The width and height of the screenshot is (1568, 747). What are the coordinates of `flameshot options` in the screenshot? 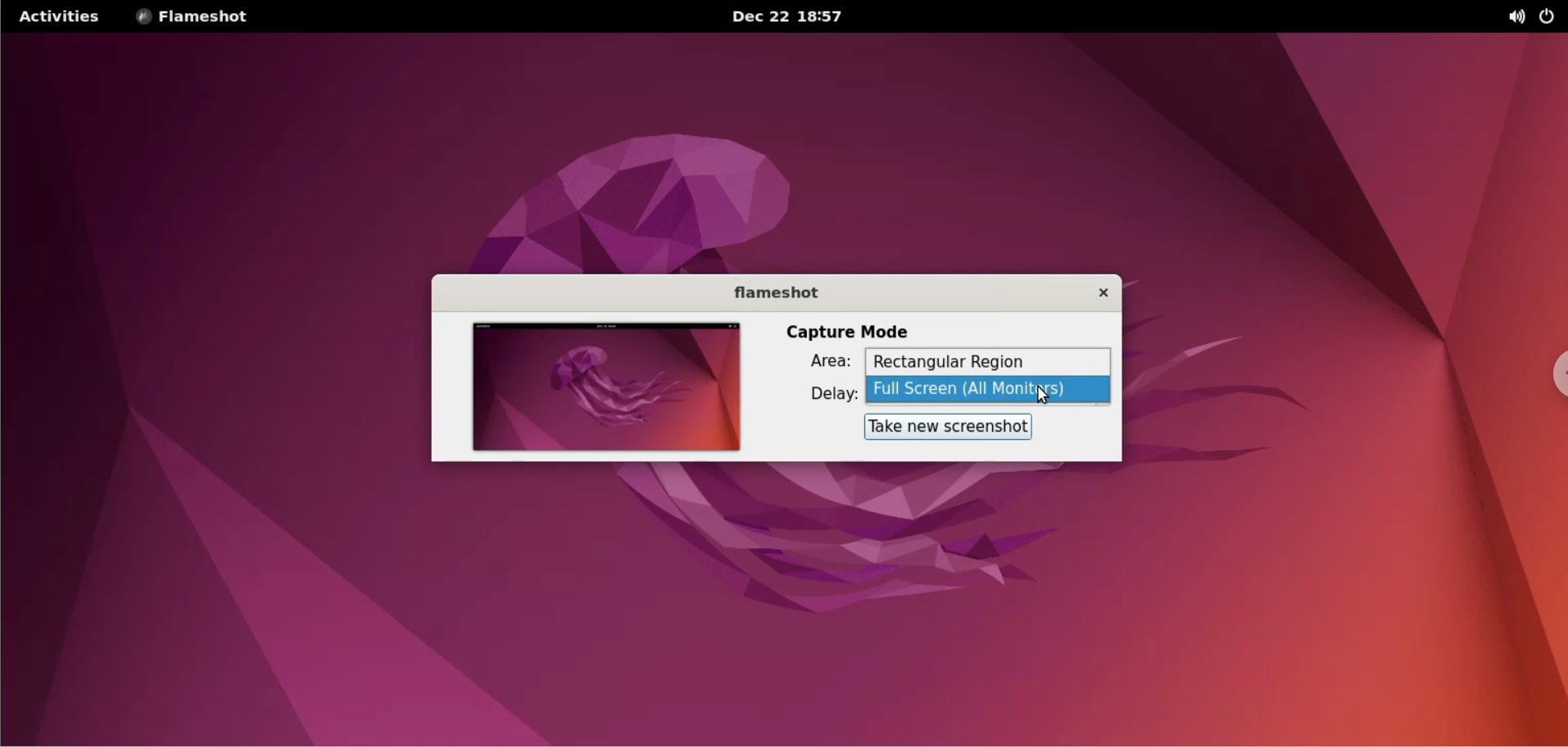 It's located at (197, 16).